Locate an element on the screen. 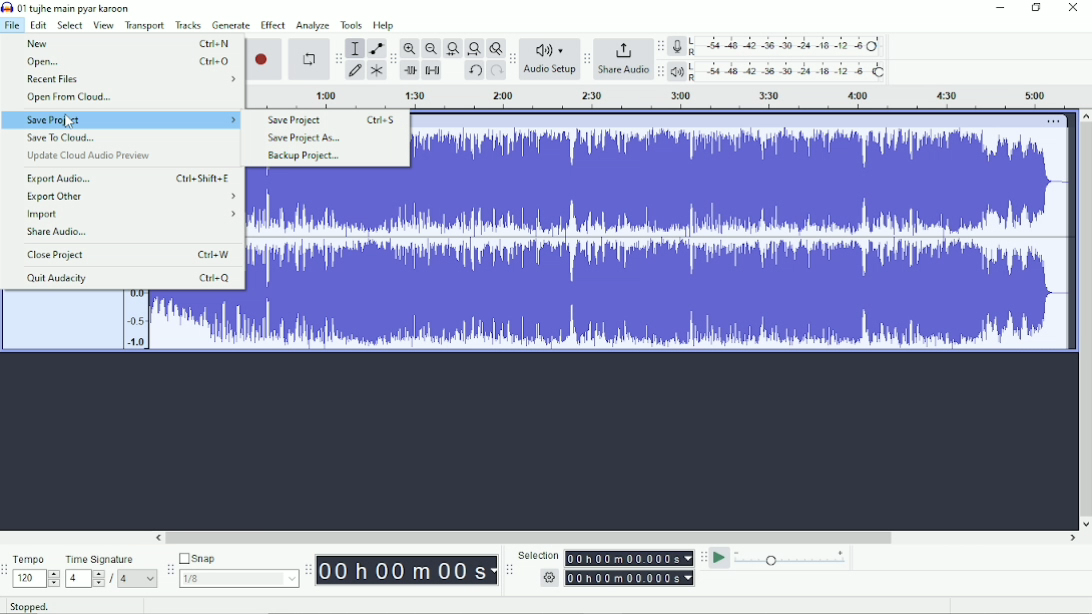 The height and width of the screenshot is (614, 1092). Audacity tools toolbar is located at coordinates (340, 57).